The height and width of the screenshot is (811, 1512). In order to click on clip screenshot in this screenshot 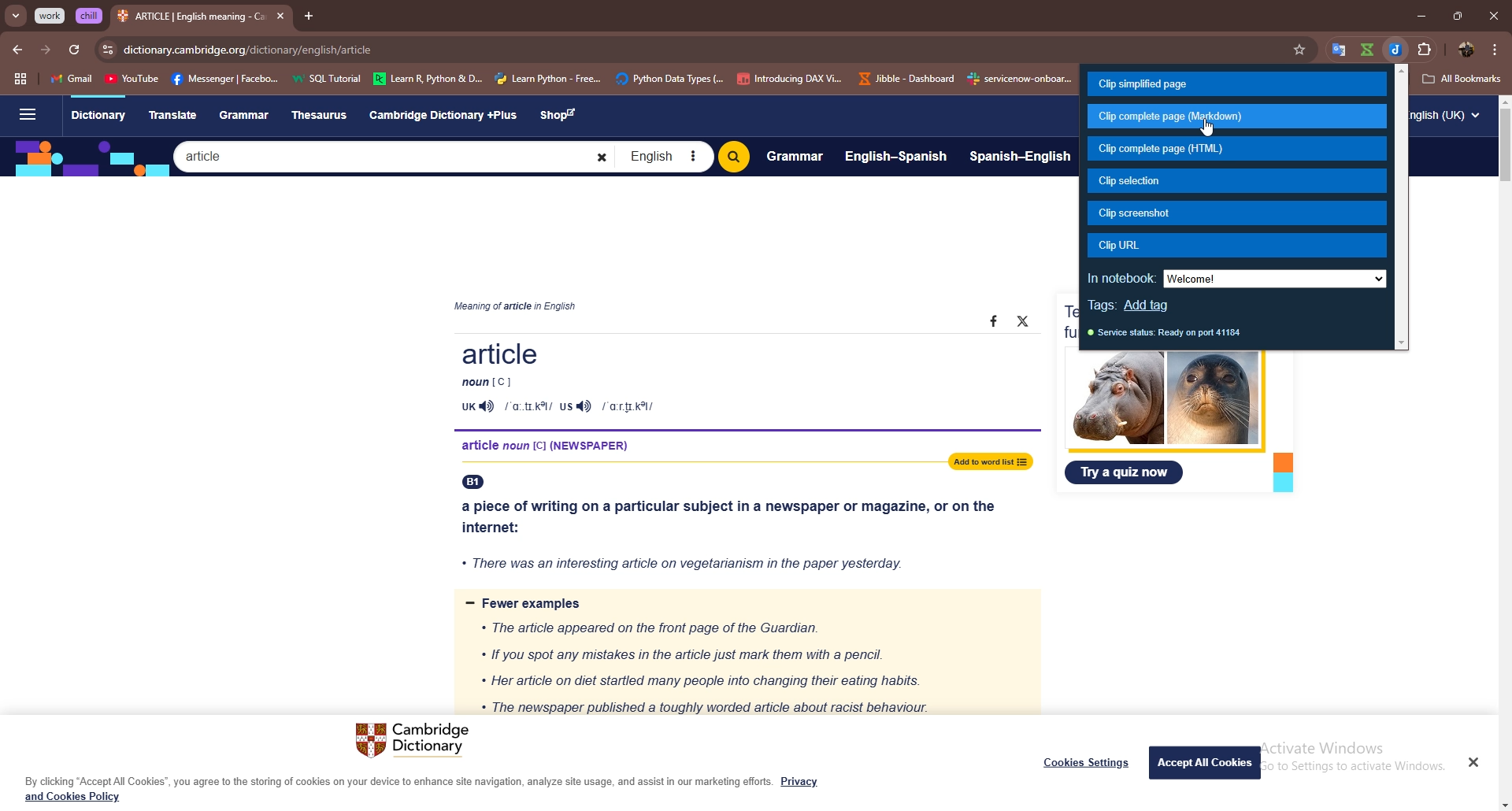, I will do `click(1237, 213)`.